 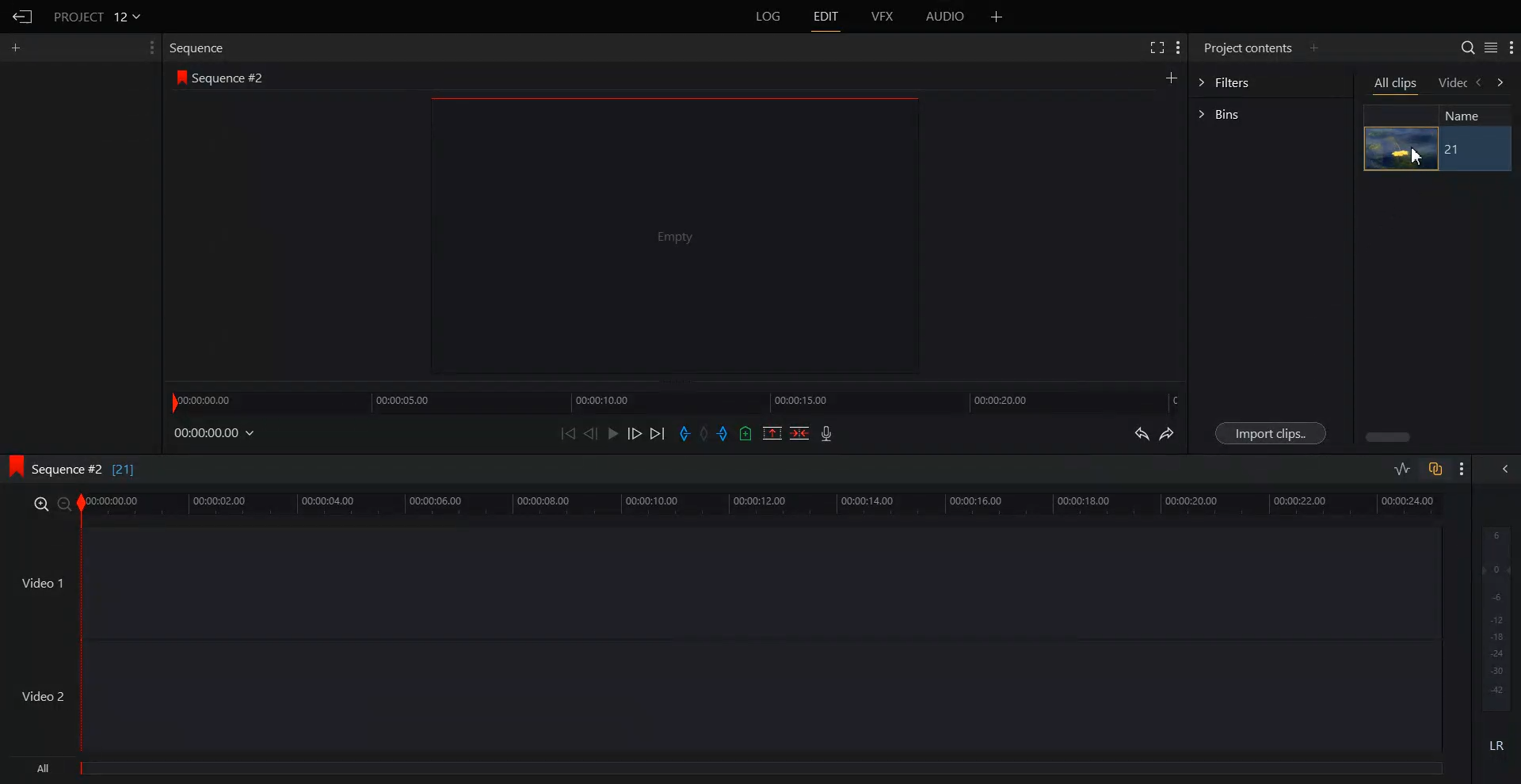 I want to click on Show Full audio mix, so click(x=1500, y=469).